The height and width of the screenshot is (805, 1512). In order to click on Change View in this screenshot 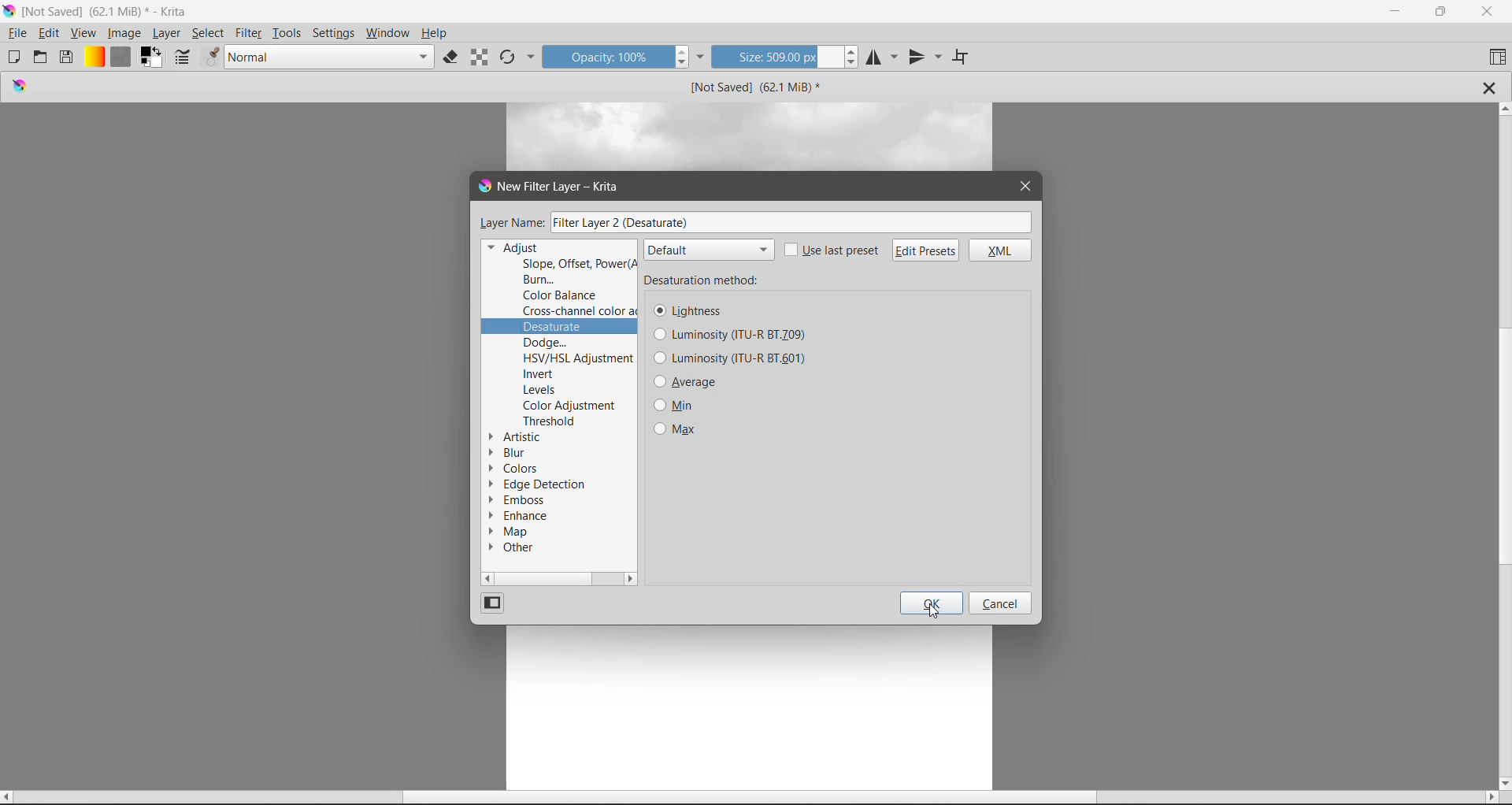, I will do `click(494, 603)`.